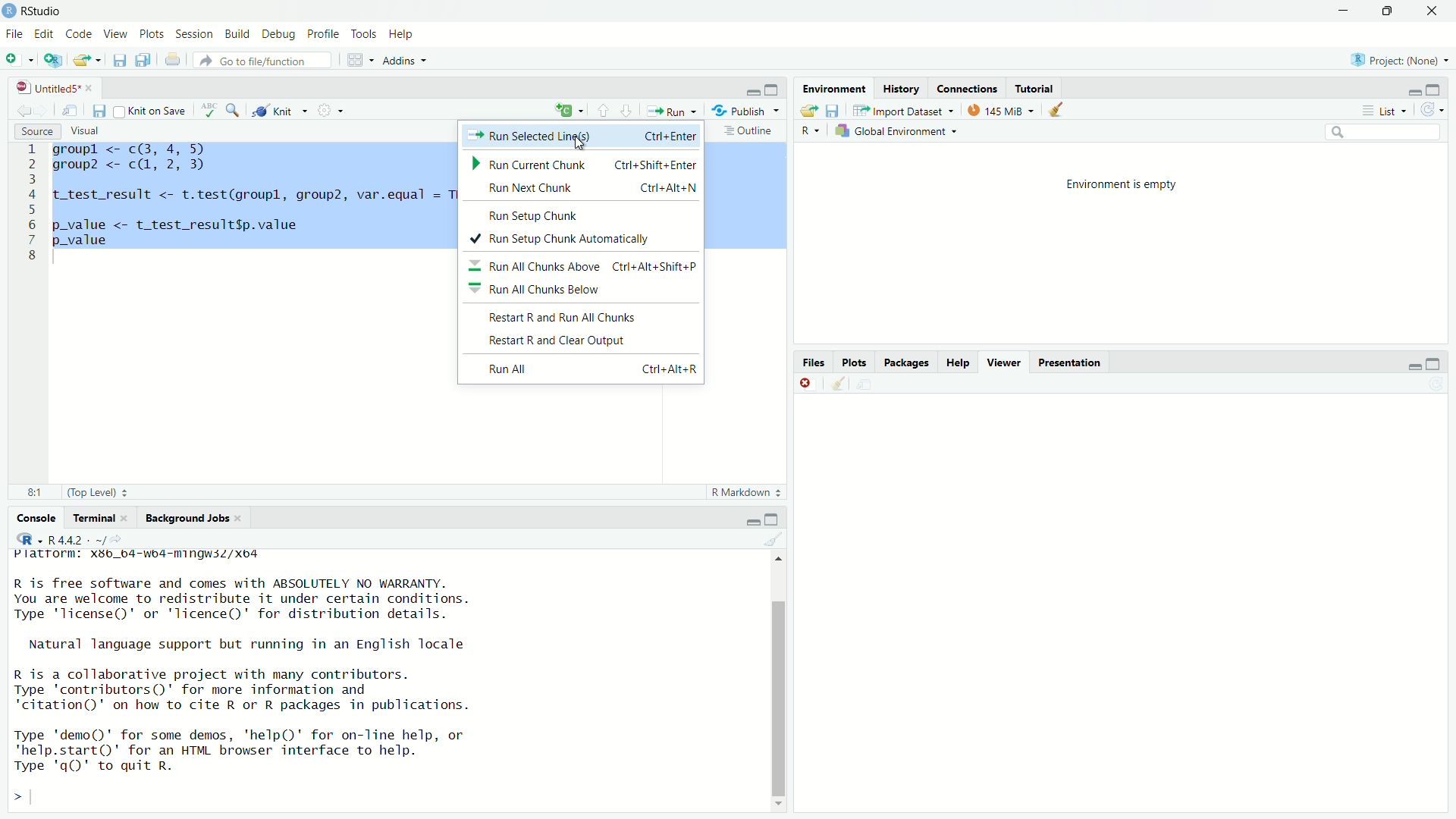 This screenshot has width=1456, height=819. Describe the element at coordinates (211, 108) in the screenshot. I see `check` at that location.